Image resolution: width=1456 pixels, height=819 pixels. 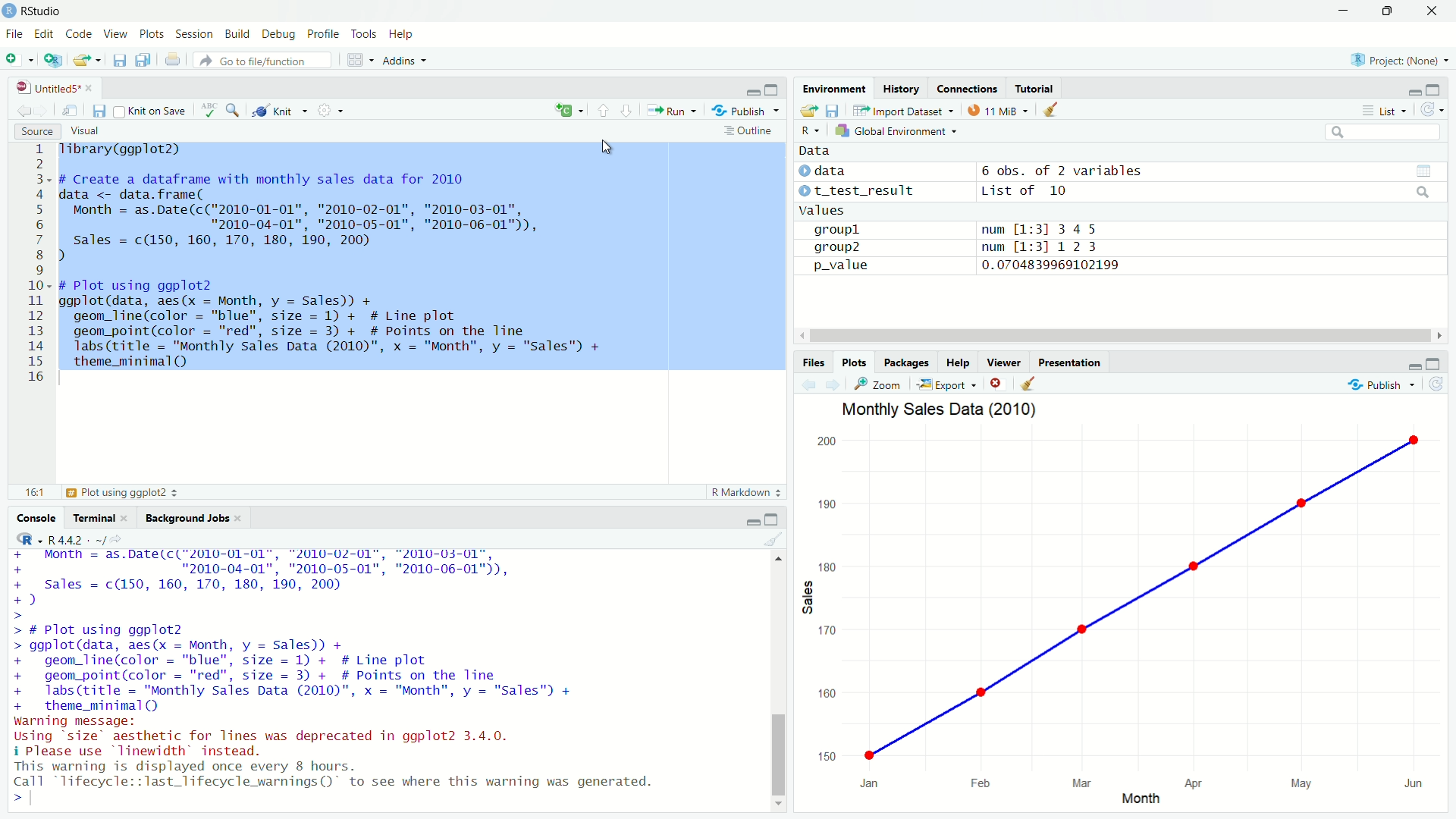 What do you see at coordinates (896, 129) in the screenshot?
I see `Global Environment ` at bounding box center [896, 129].